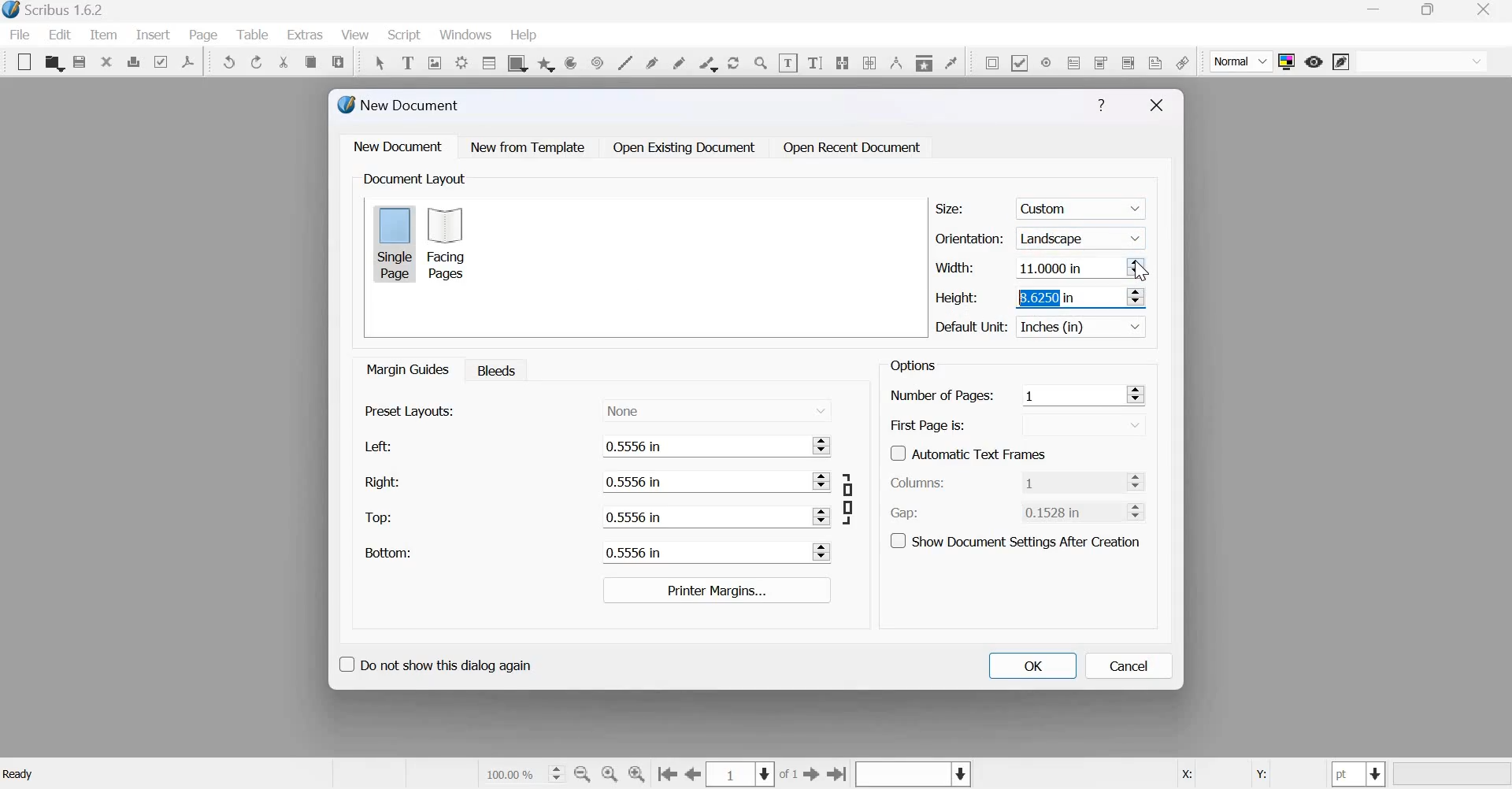  I want to click on Measurements, so click(895, 62).